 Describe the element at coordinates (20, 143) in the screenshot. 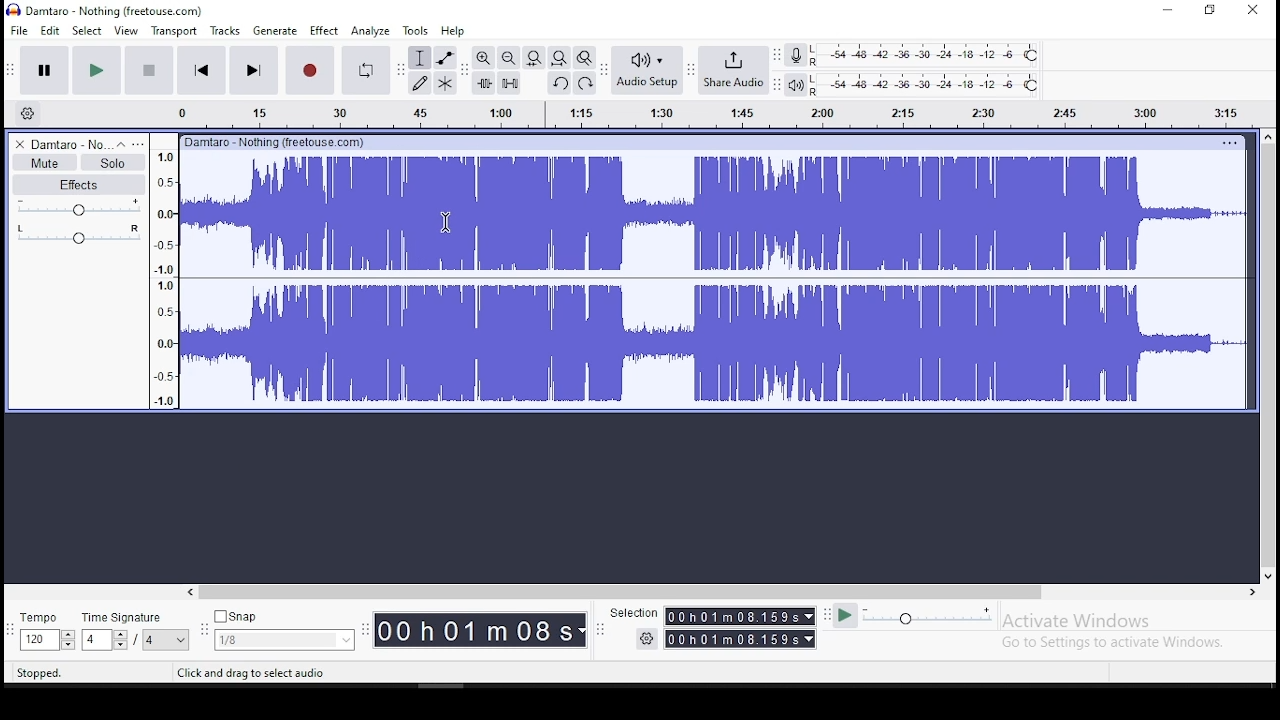

I see `delete track` at that location.